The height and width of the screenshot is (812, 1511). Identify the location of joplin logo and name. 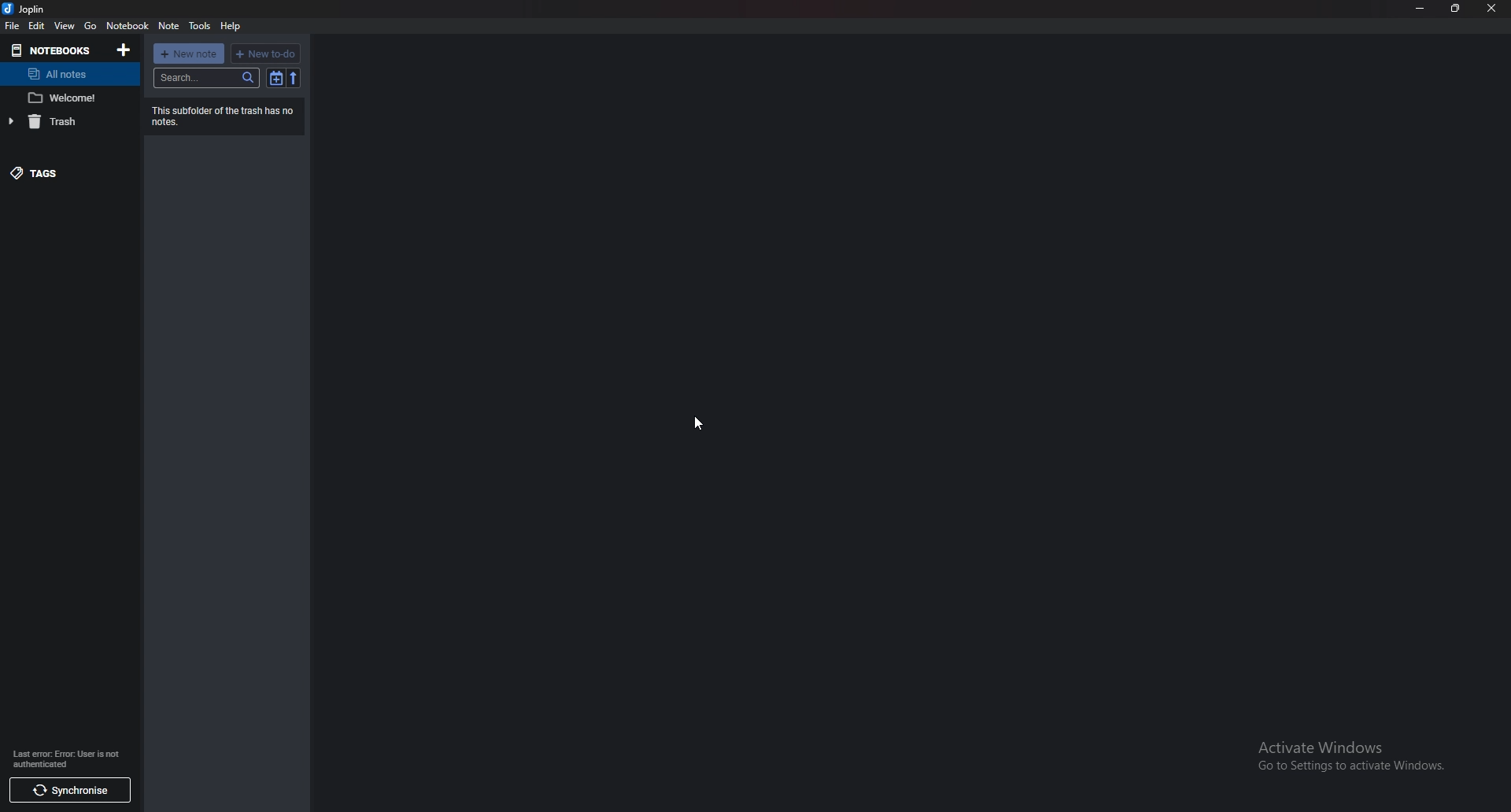
(26, 9).